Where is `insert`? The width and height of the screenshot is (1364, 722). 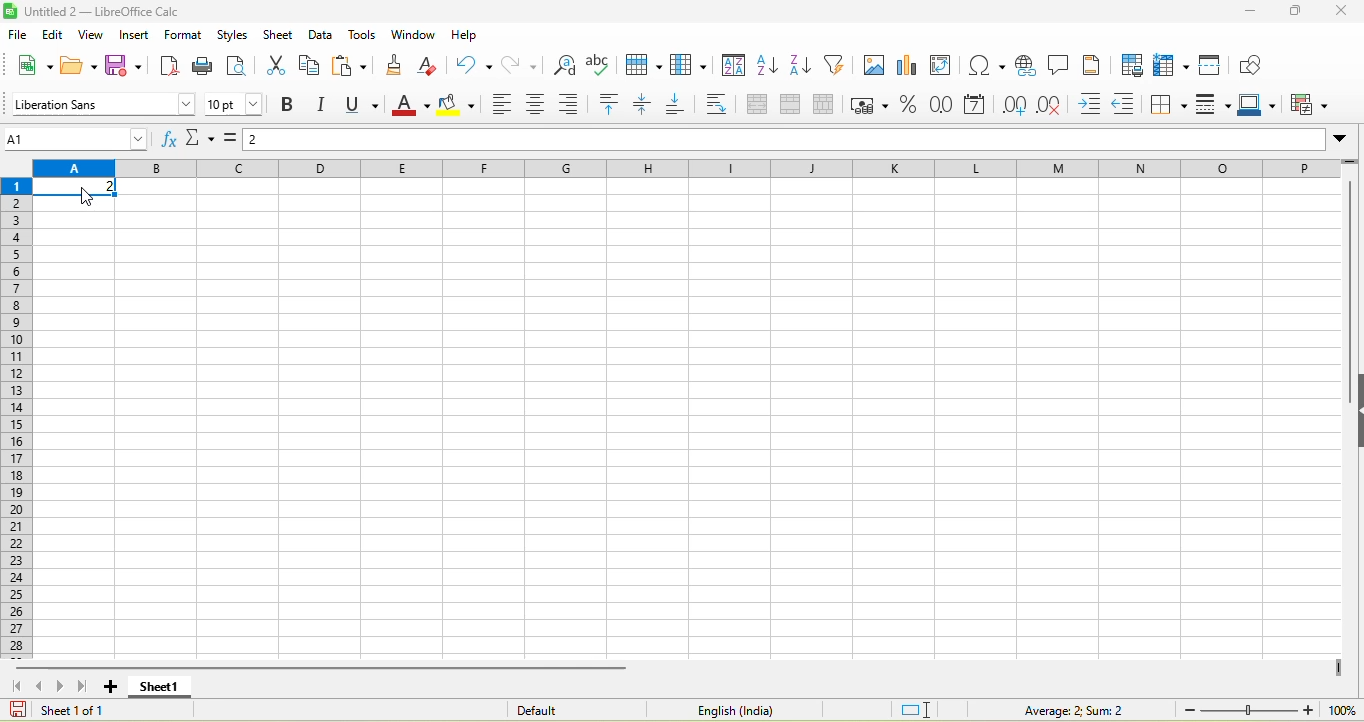 insert is located at coordinates (136, 35).